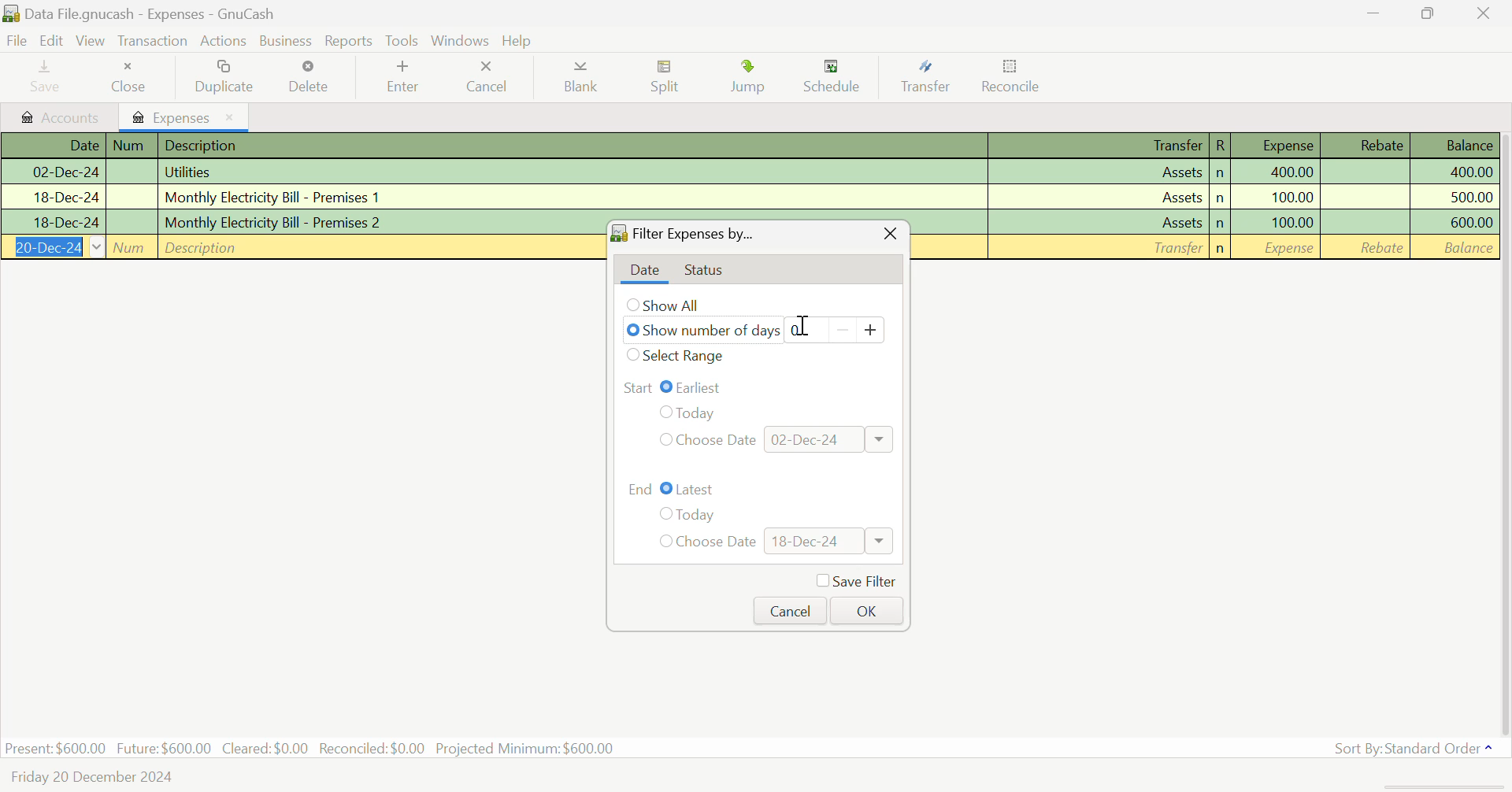  Describe the element at coordinates (705, 269) in the screenshot. I see `Status Tab` at that location.